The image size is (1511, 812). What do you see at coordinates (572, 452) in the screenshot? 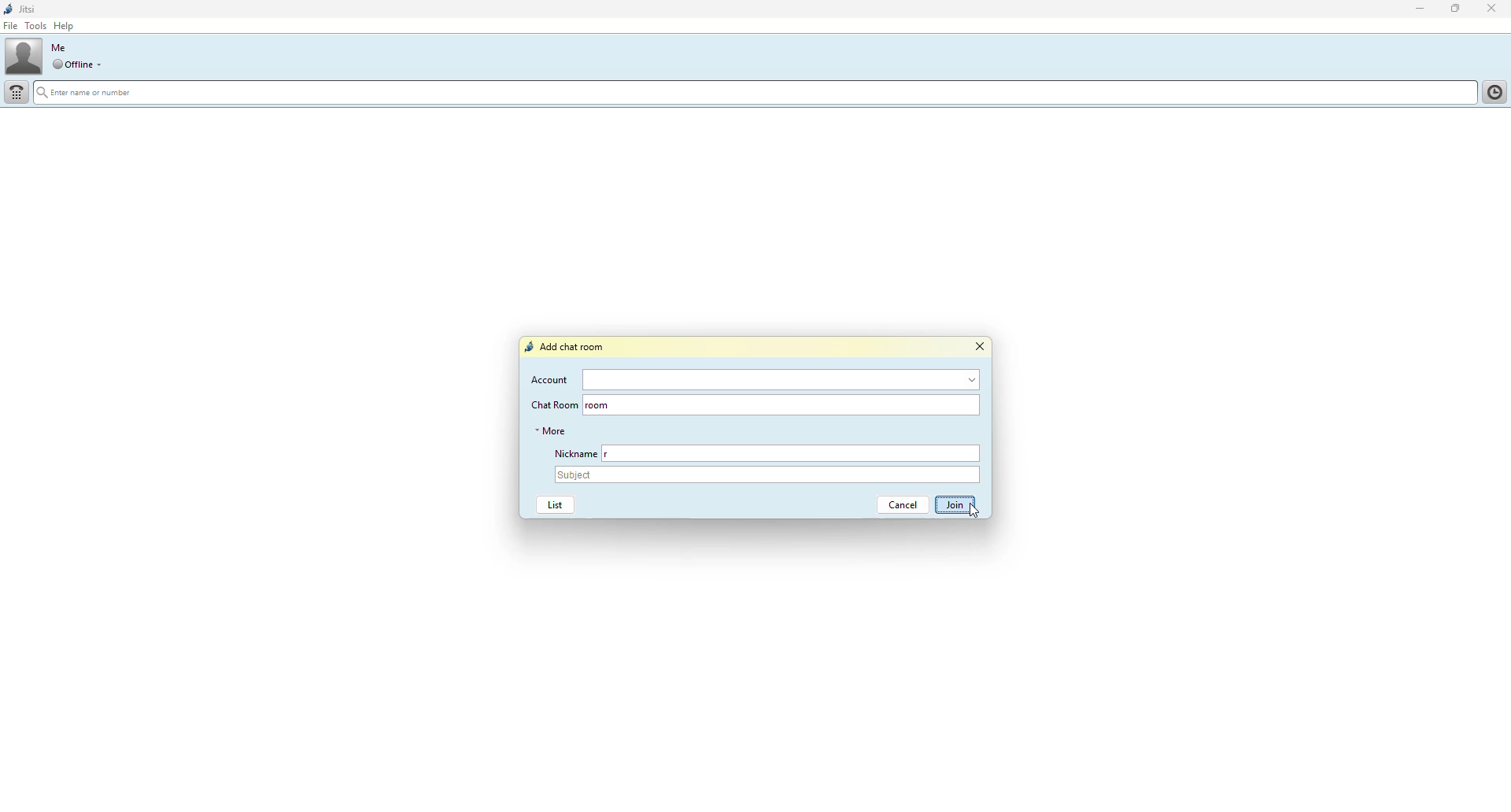
I see `nickname` at bounding box center [572, 452].